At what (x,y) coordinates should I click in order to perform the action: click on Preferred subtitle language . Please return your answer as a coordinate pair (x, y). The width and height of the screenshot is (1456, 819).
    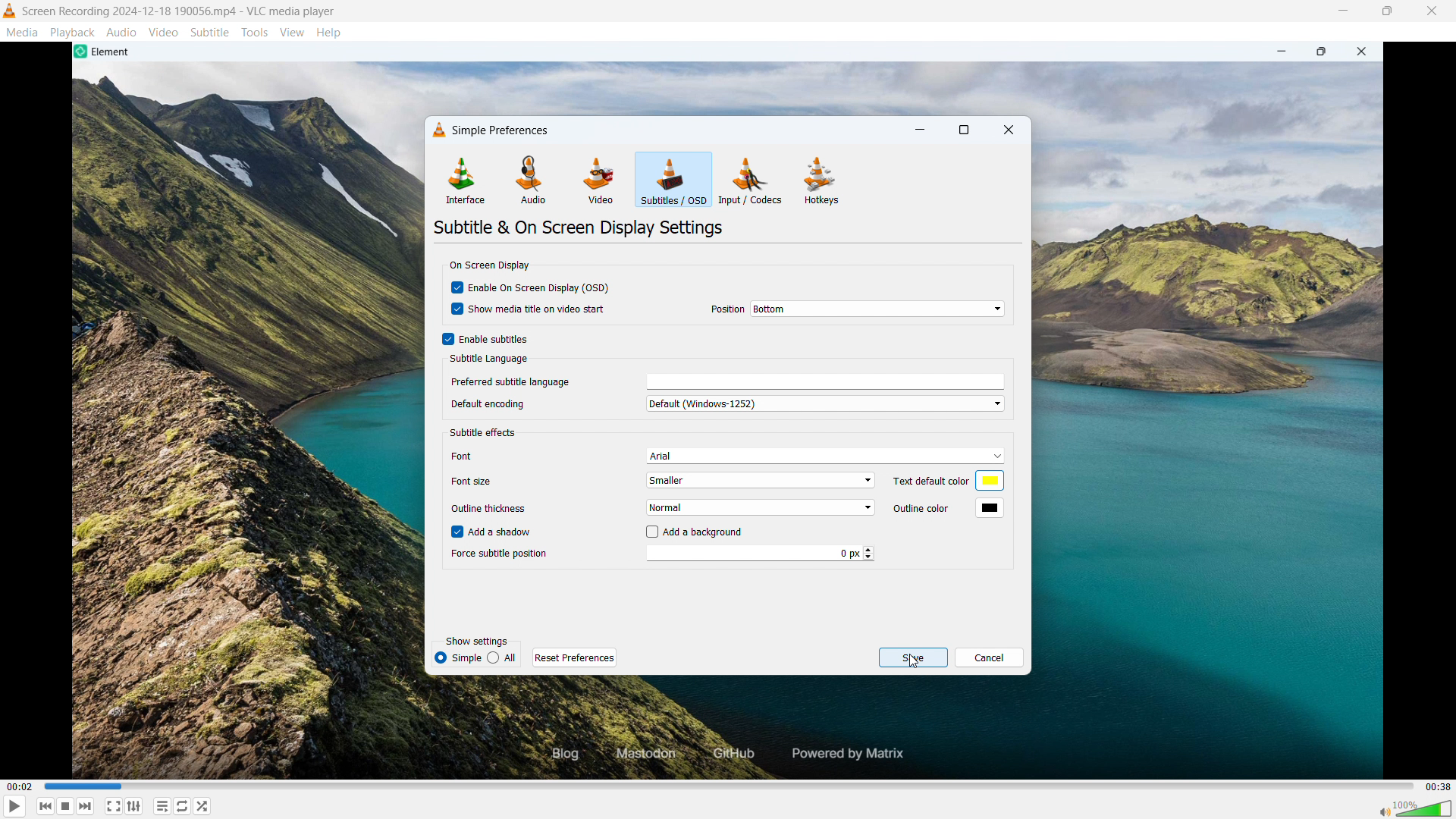
    Looking at the image, I should click on (808, 382).